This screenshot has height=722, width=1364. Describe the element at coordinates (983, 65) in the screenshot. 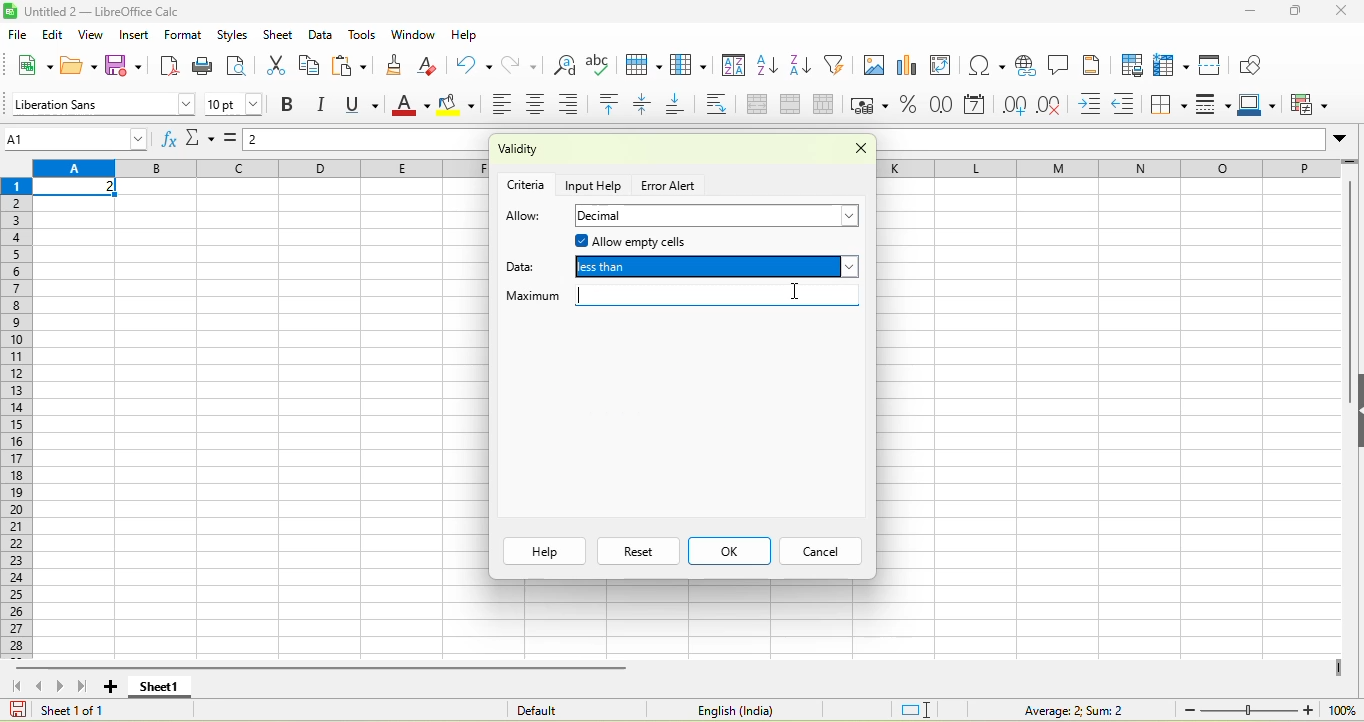

I see `special character` at that location.